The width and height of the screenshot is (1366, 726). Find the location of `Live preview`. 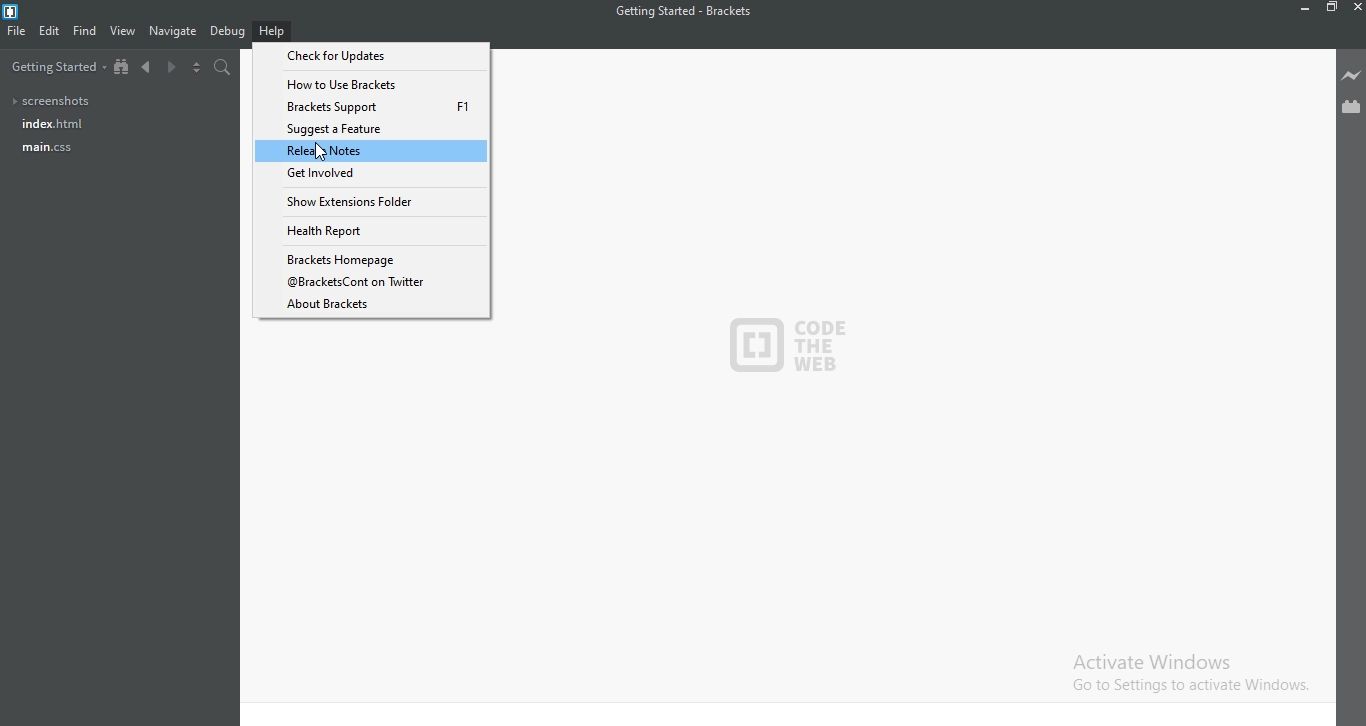

Live preview is located at coordinates (1351, 76).